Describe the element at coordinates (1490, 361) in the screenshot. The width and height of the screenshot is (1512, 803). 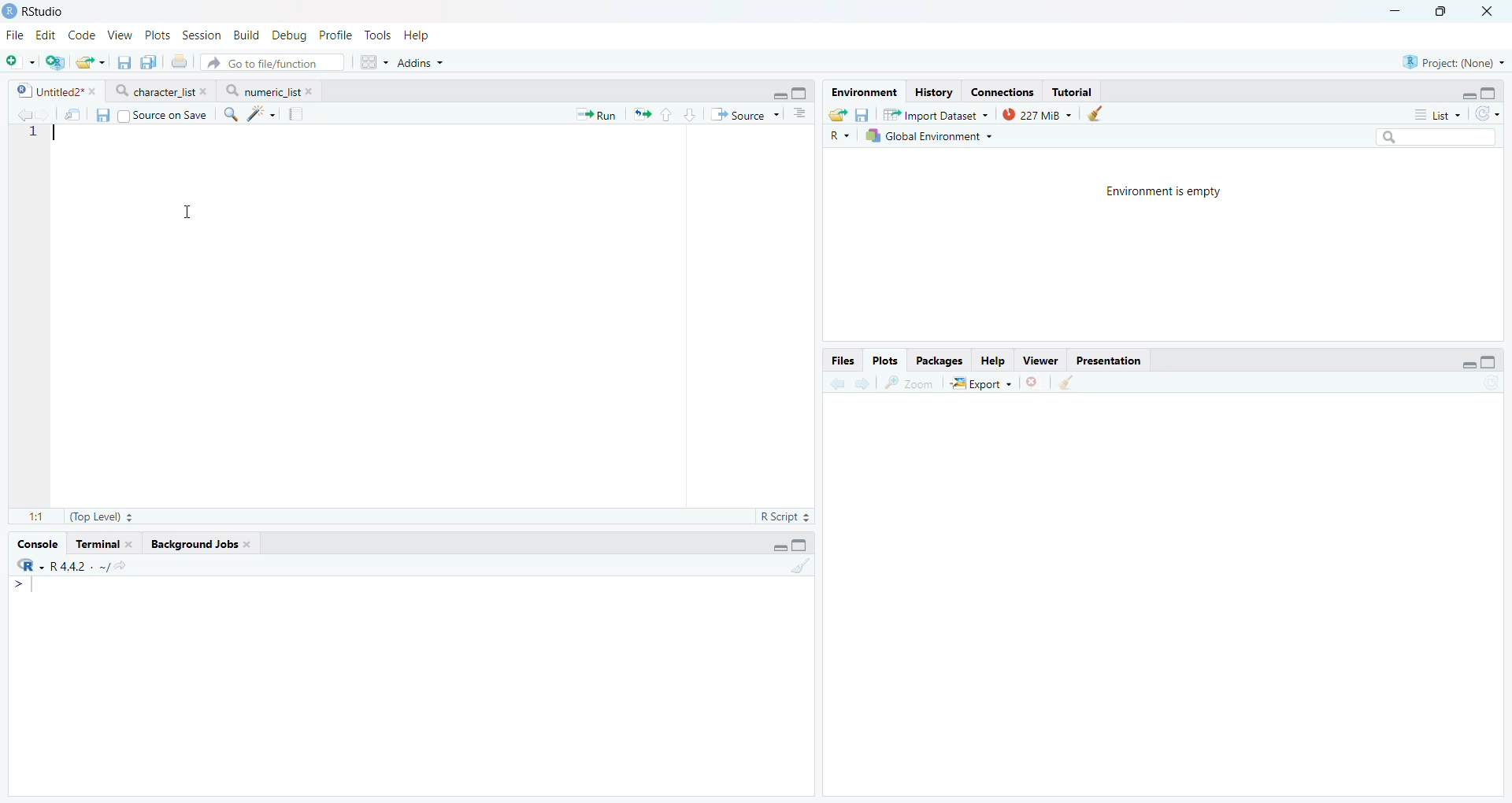
I see `Full height` at that location.